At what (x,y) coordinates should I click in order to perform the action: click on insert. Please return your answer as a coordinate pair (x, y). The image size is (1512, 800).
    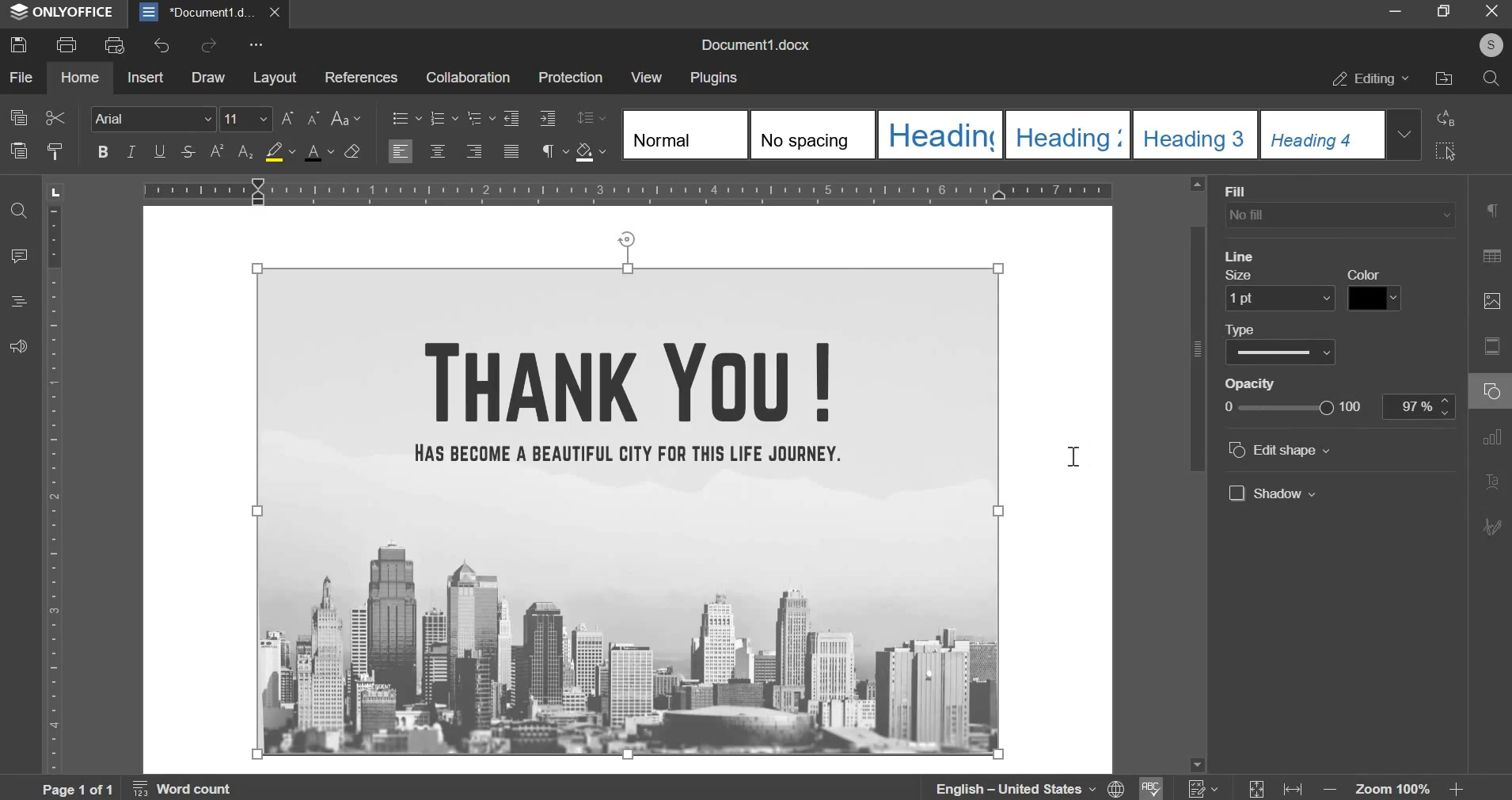
    Looking at the image, I should click on (146, 77).